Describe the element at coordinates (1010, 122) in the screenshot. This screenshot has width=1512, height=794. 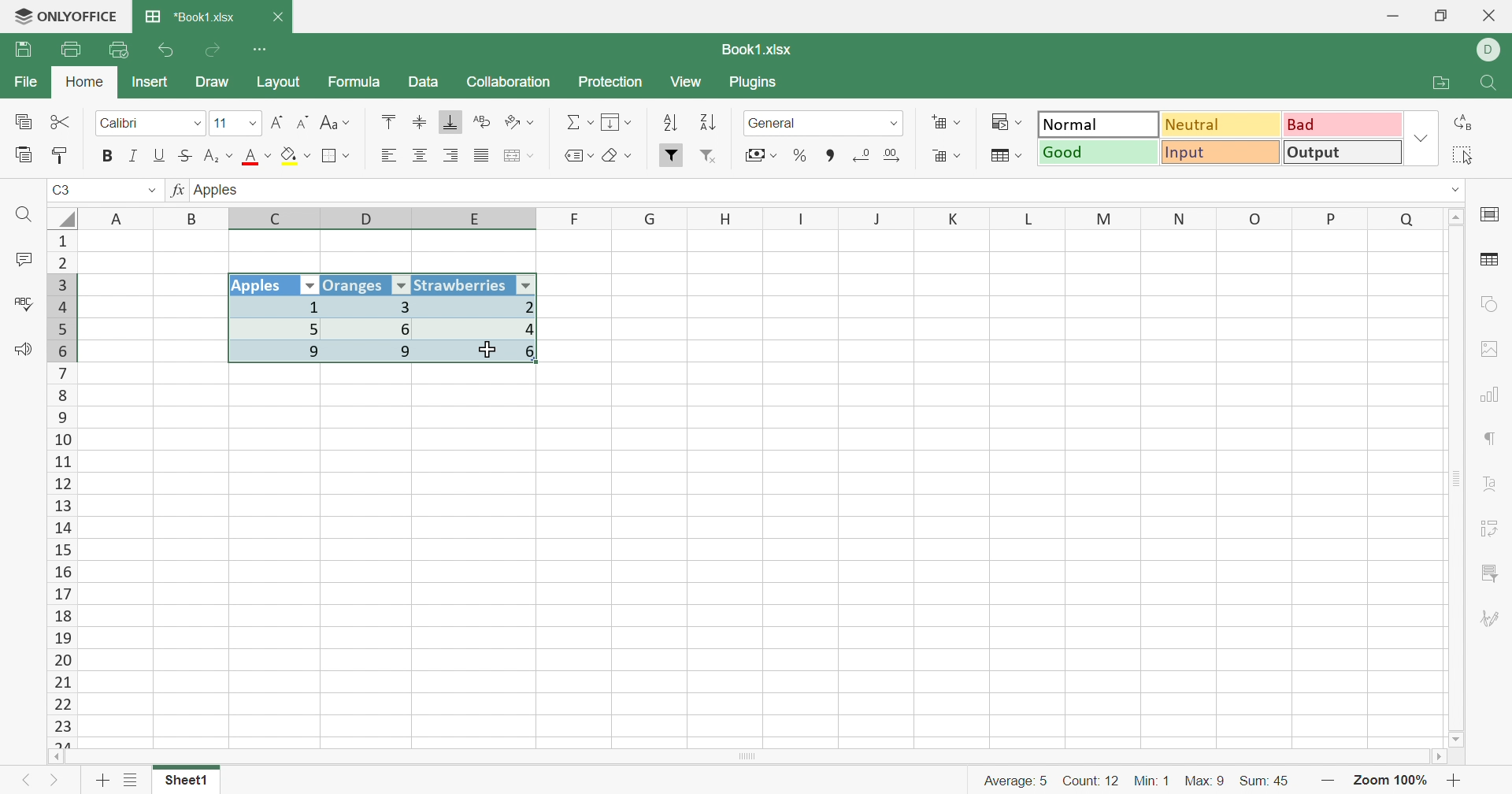
I see `Conditional formatting` at that location.